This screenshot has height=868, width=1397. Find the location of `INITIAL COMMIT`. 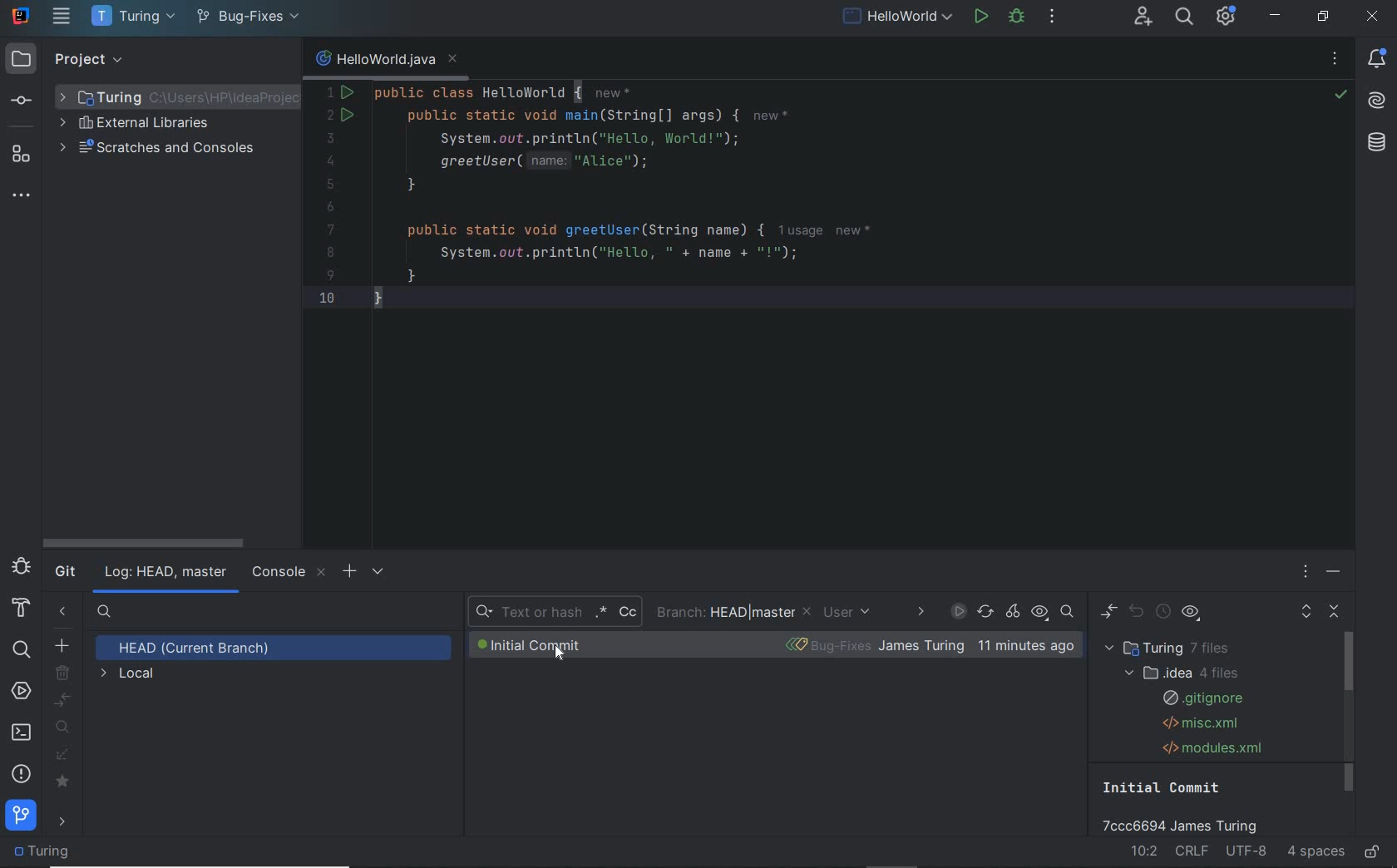

INITIAL COMMIT is located at coordinates (550, 645).